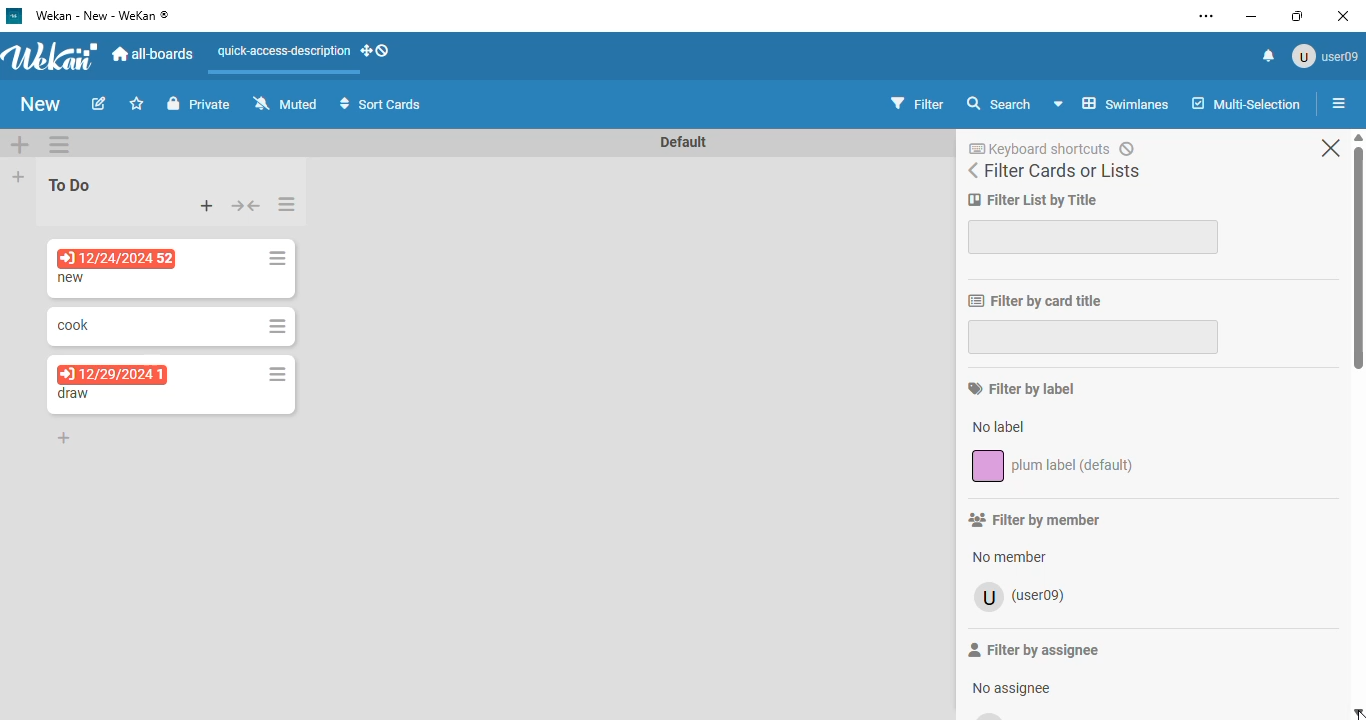 The height and width of the screenshot is (720, 1366). I want to click on card name, so click(73, 278).